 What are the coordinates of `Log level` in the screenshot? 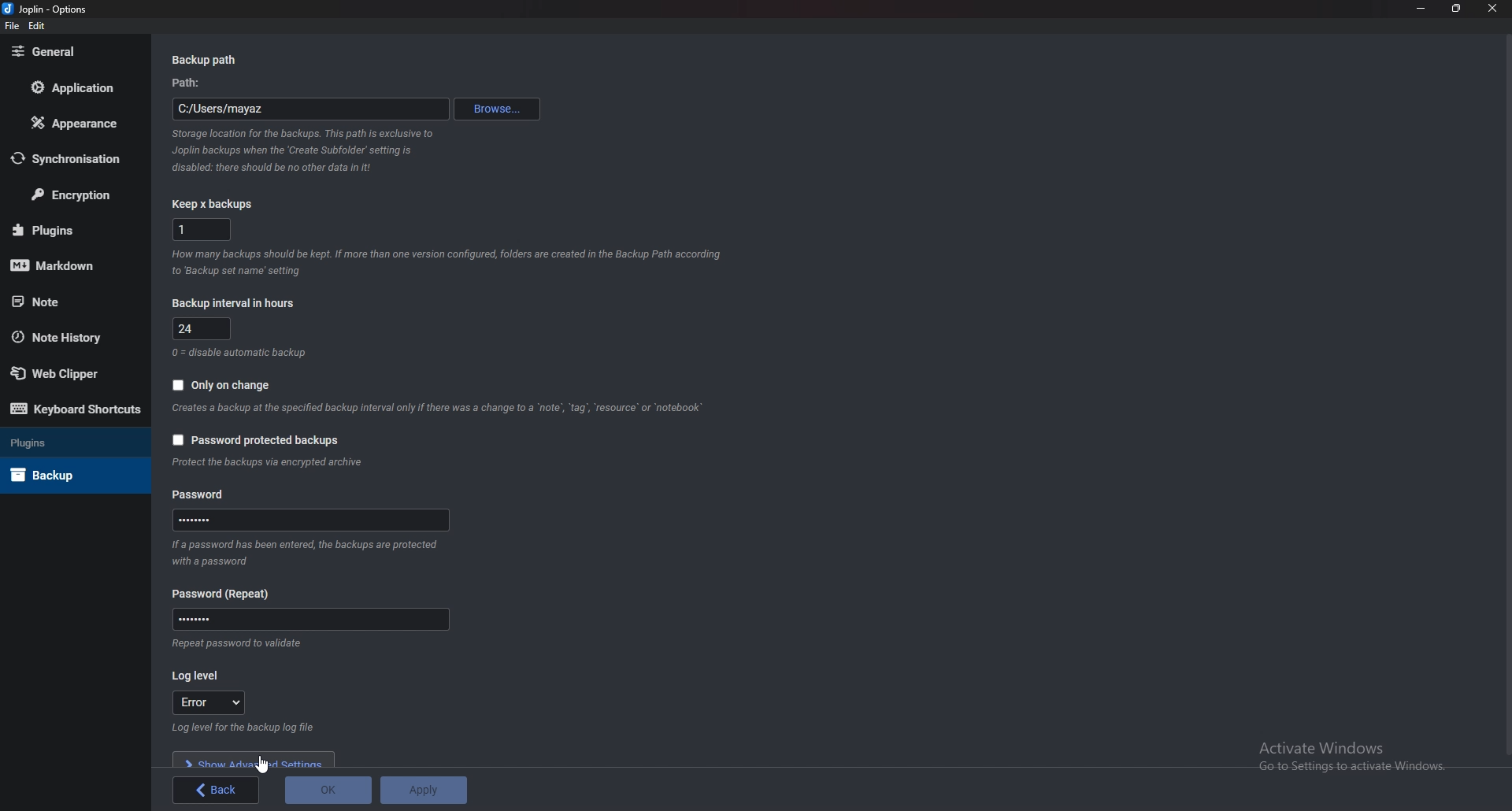 It's located at (199, 677).